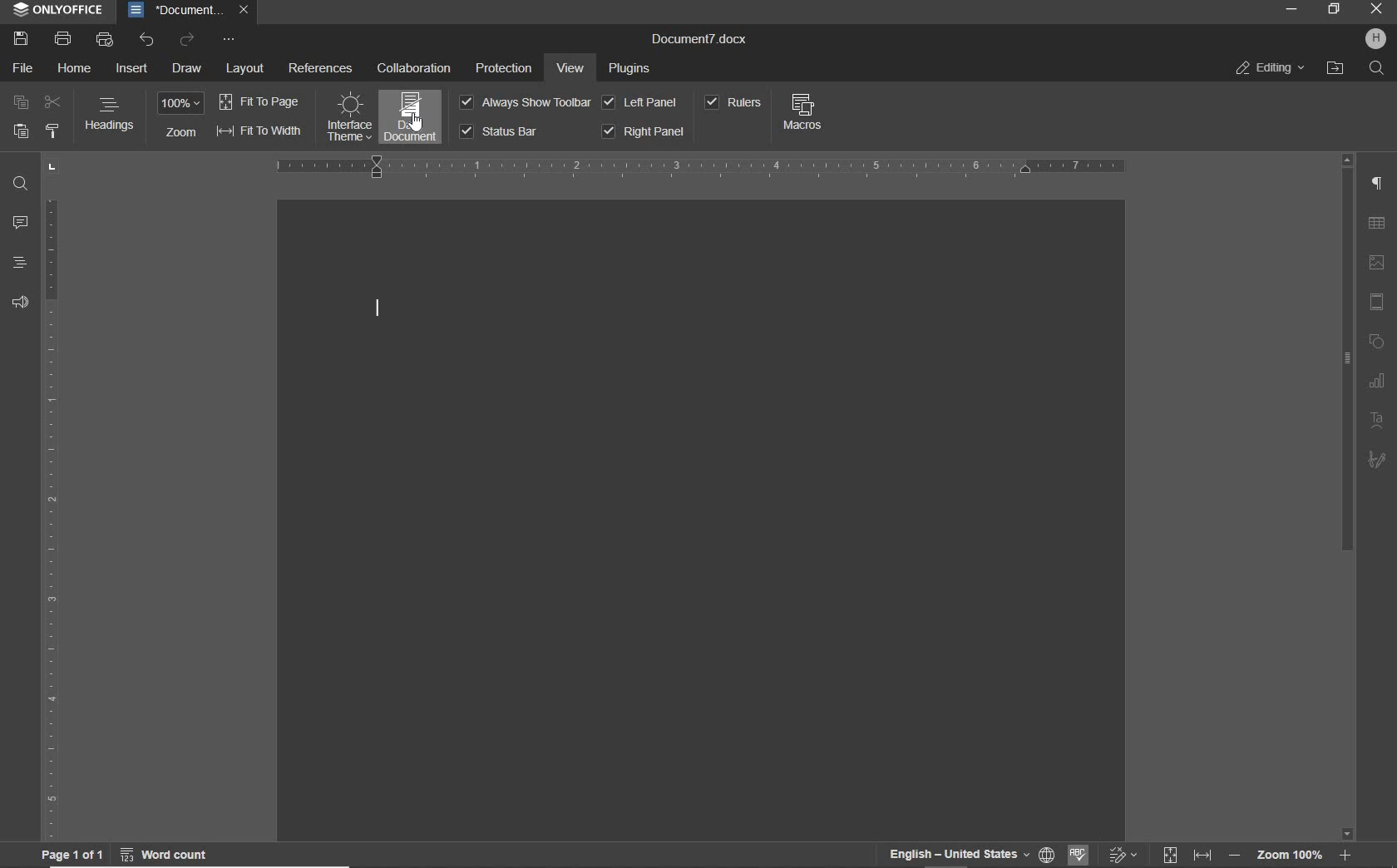  Describe the element at coordinates (20, 131) in the screenshot. I see `PASTE` at that location.